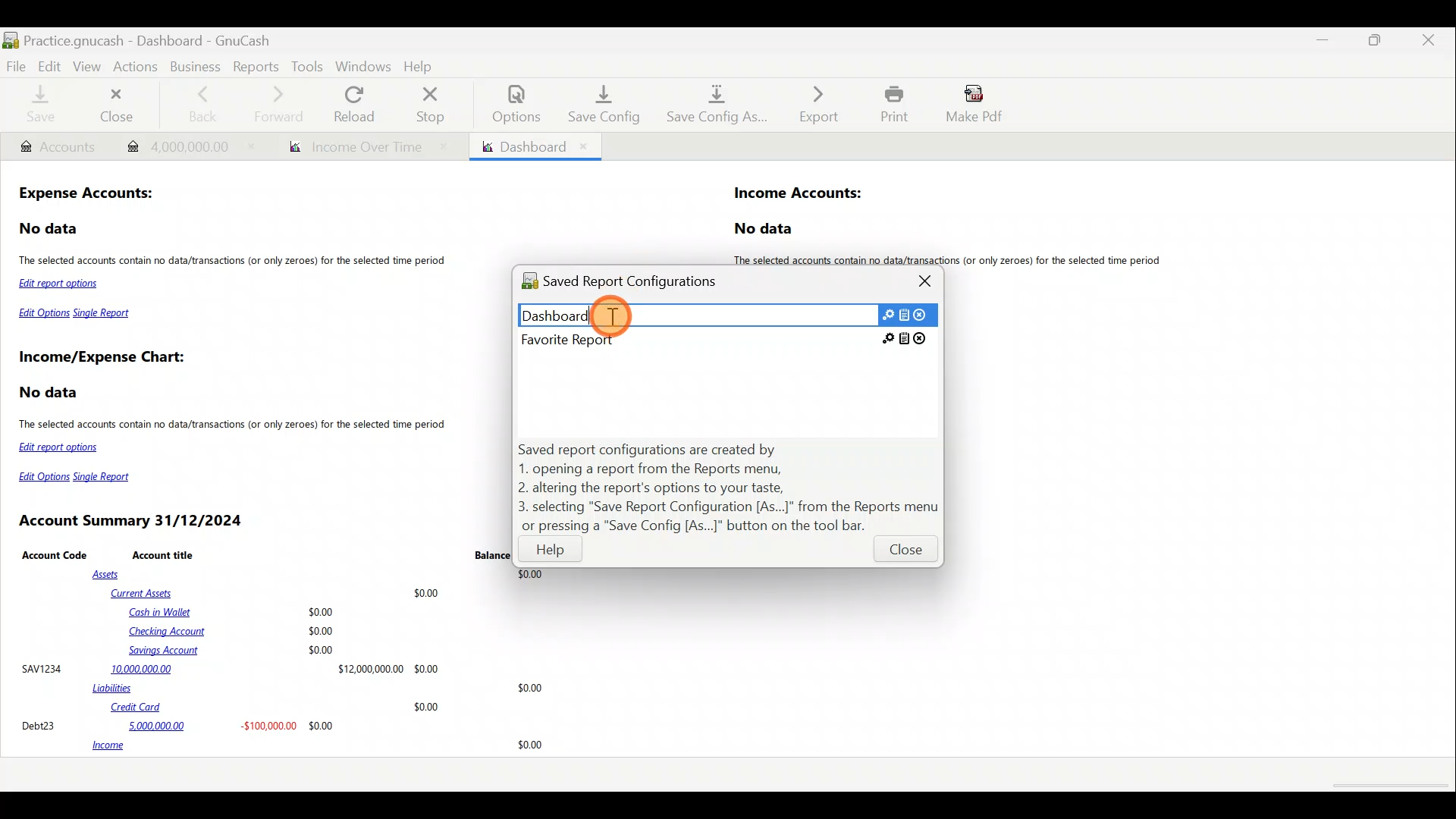 This screenshot has height=819, width=1456. Describe the element at coordinates (184, 145) in the screenshot. I see `Transaction` at that location.